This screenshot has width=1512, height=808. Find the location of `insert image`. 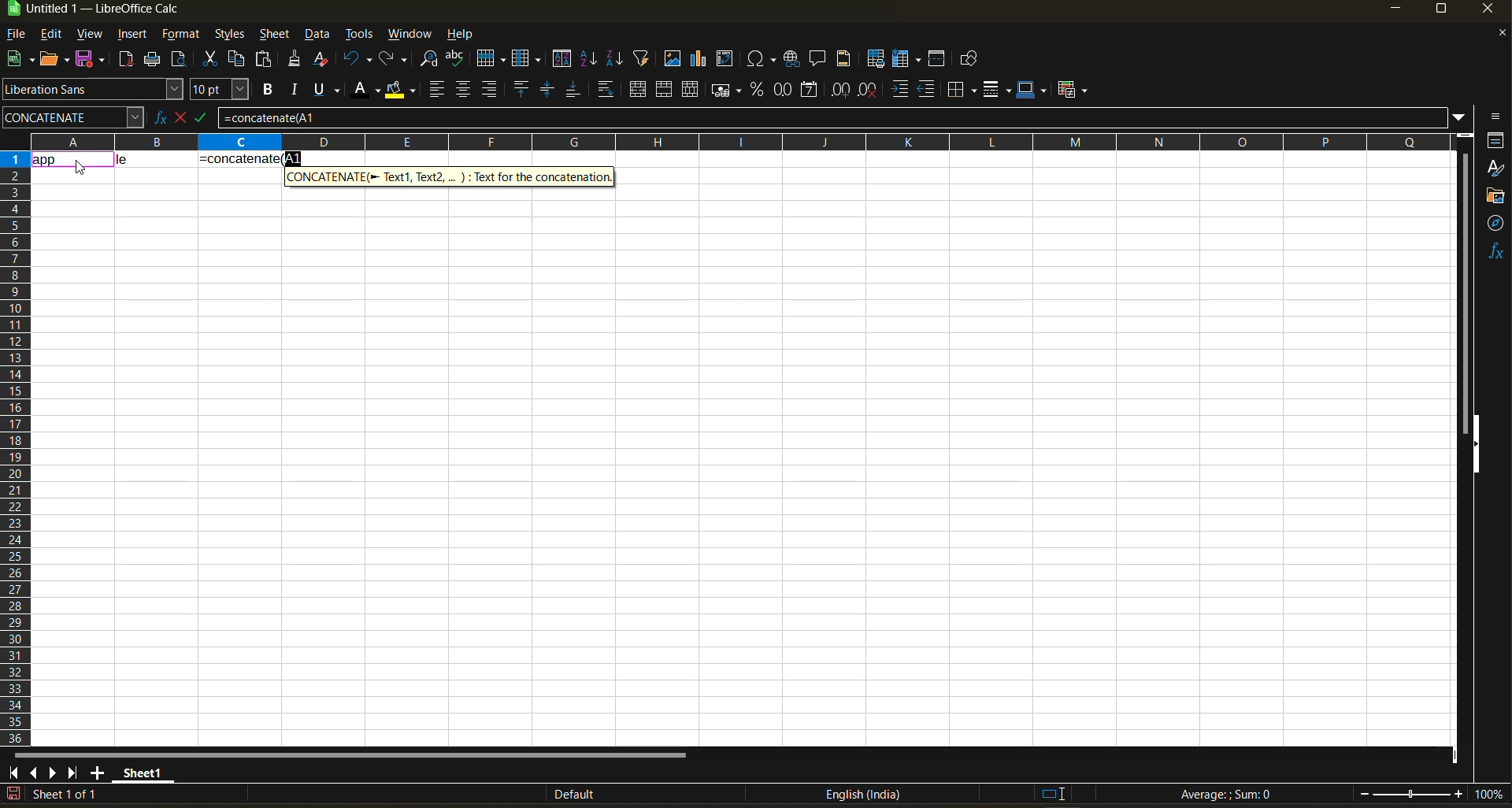

insert image is located at coordinates (672, 58).